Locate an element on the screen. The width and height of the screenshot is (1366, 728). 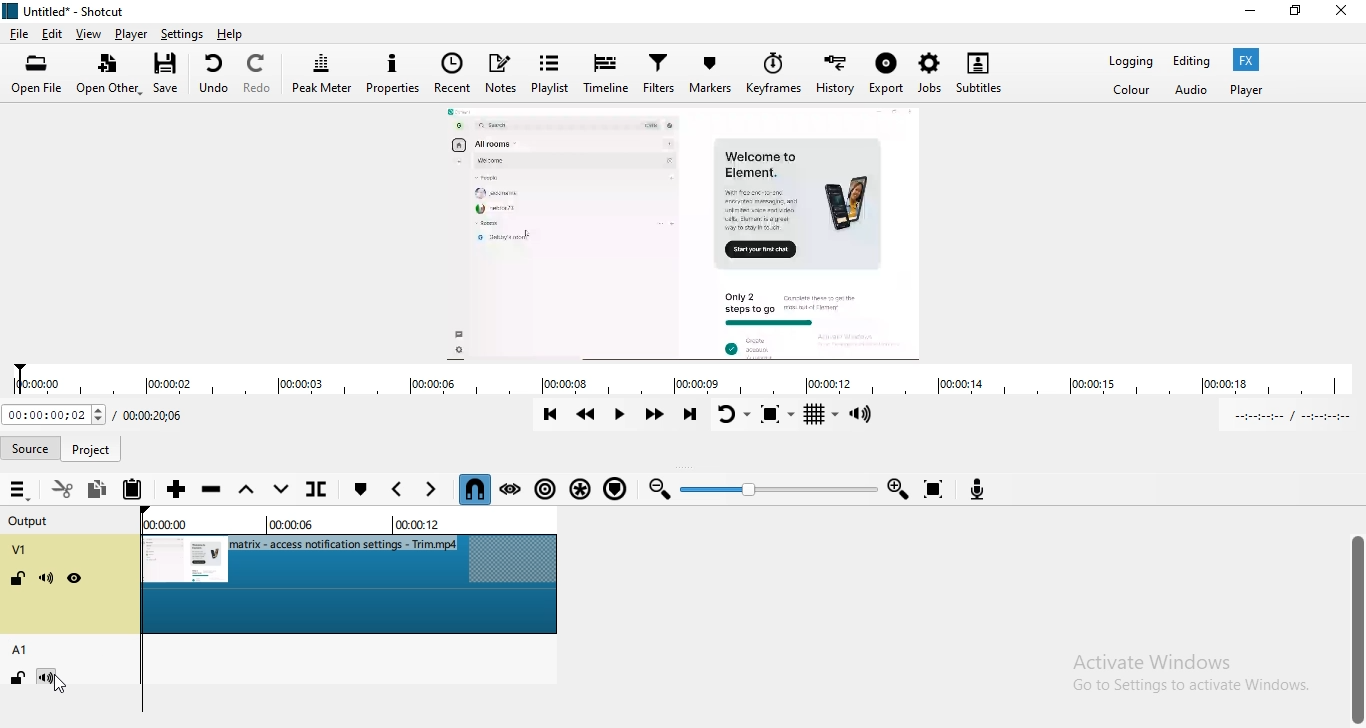
Timeline is located at coordinates (604, 71).